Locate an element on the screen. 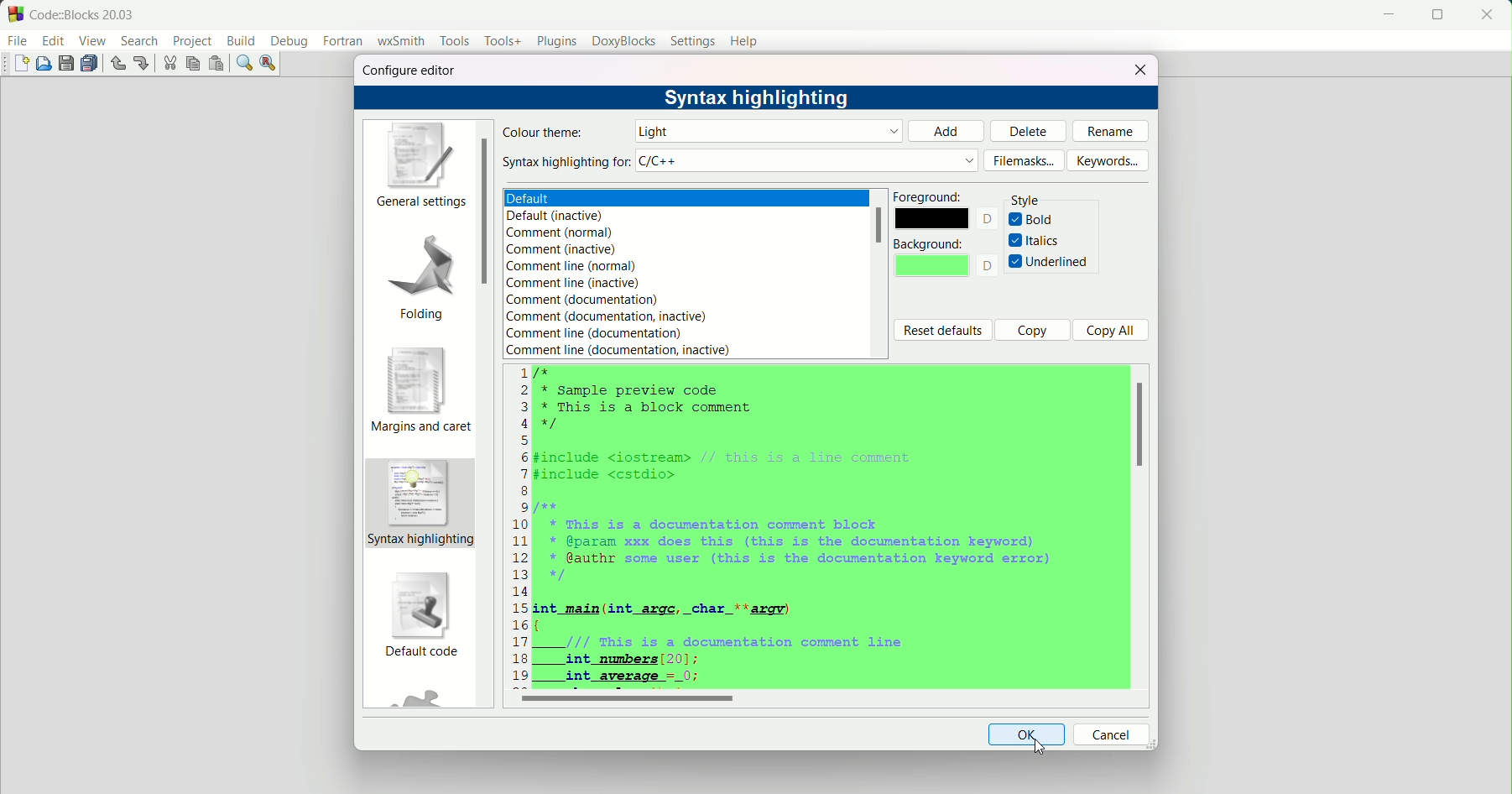 This screenshot has height=794, width=1512. default is located at coordinates (769, 152).